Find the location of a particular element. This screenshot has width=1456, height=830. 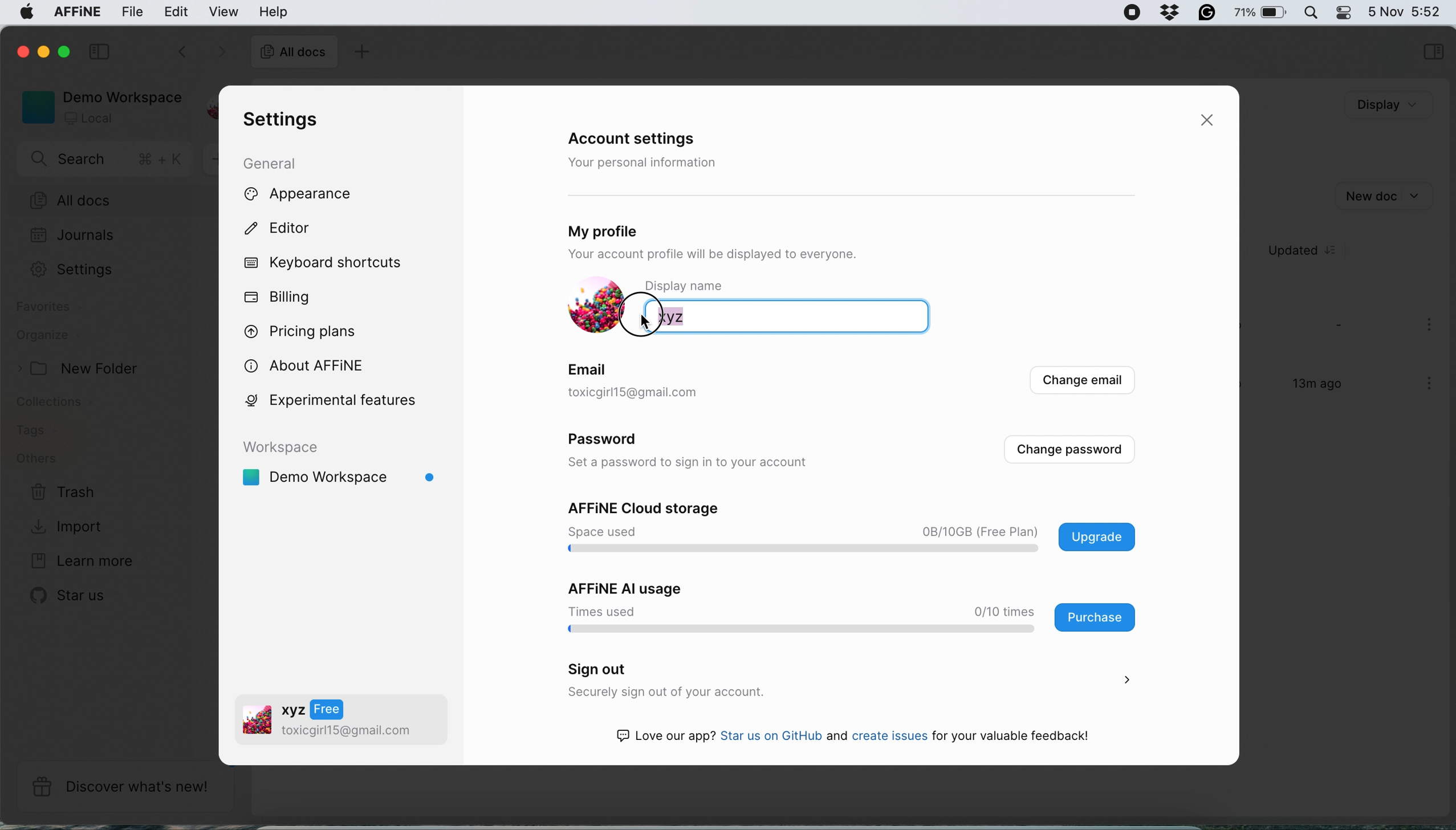

close is located at coordinates (1211, 121).